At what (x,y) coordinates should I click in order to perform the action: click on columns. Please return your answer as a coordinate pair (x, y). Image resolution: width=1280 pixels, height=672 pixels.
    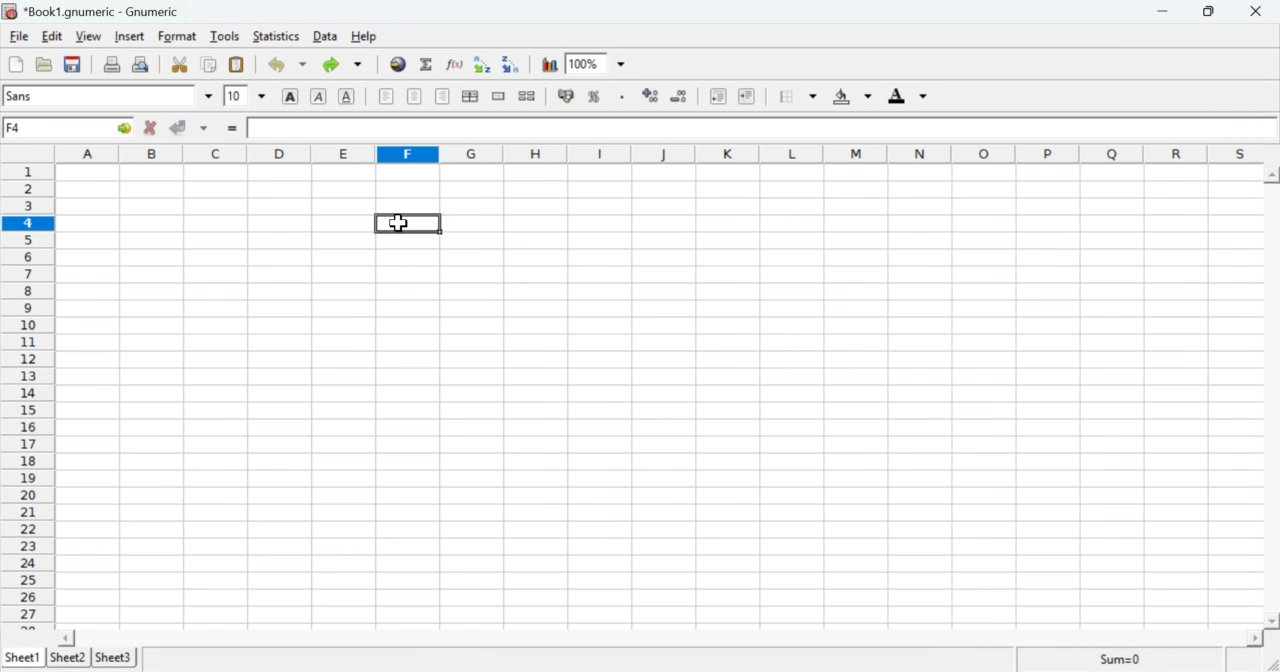
    Looking at the image, I should click on (658, 154).